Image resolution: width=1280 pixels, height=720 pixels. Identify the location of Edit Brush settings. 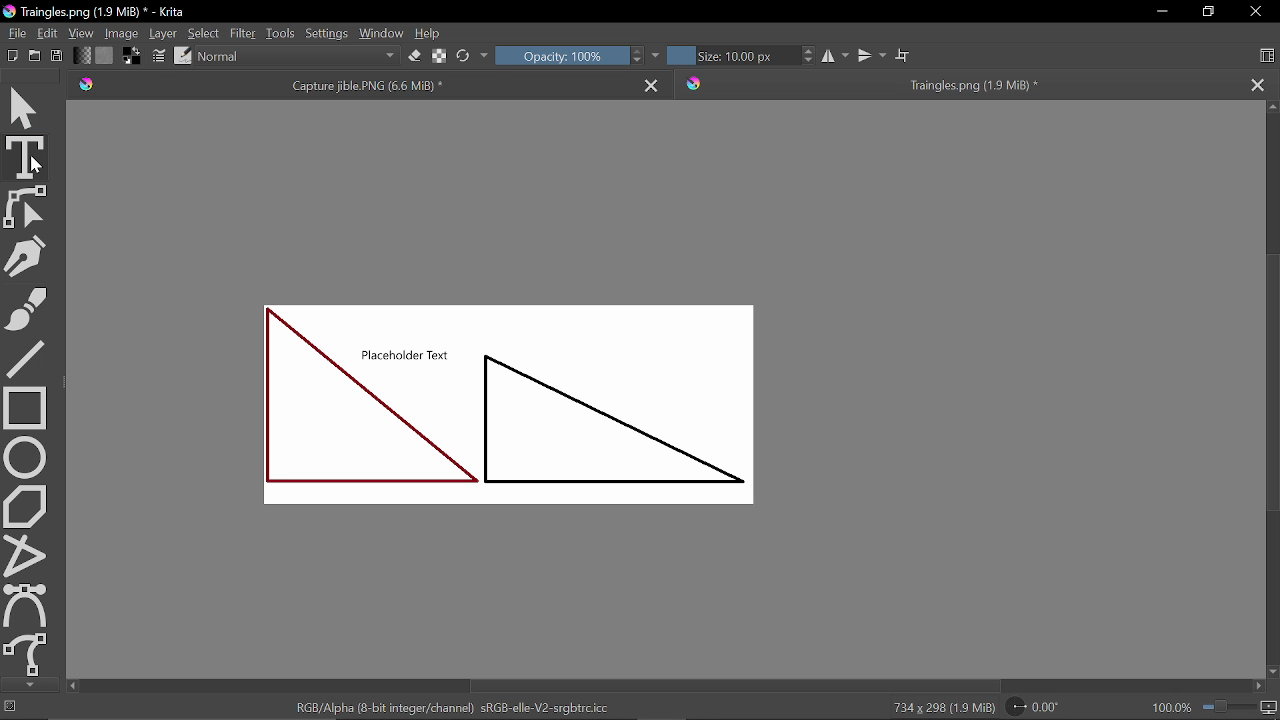
(157, 55).